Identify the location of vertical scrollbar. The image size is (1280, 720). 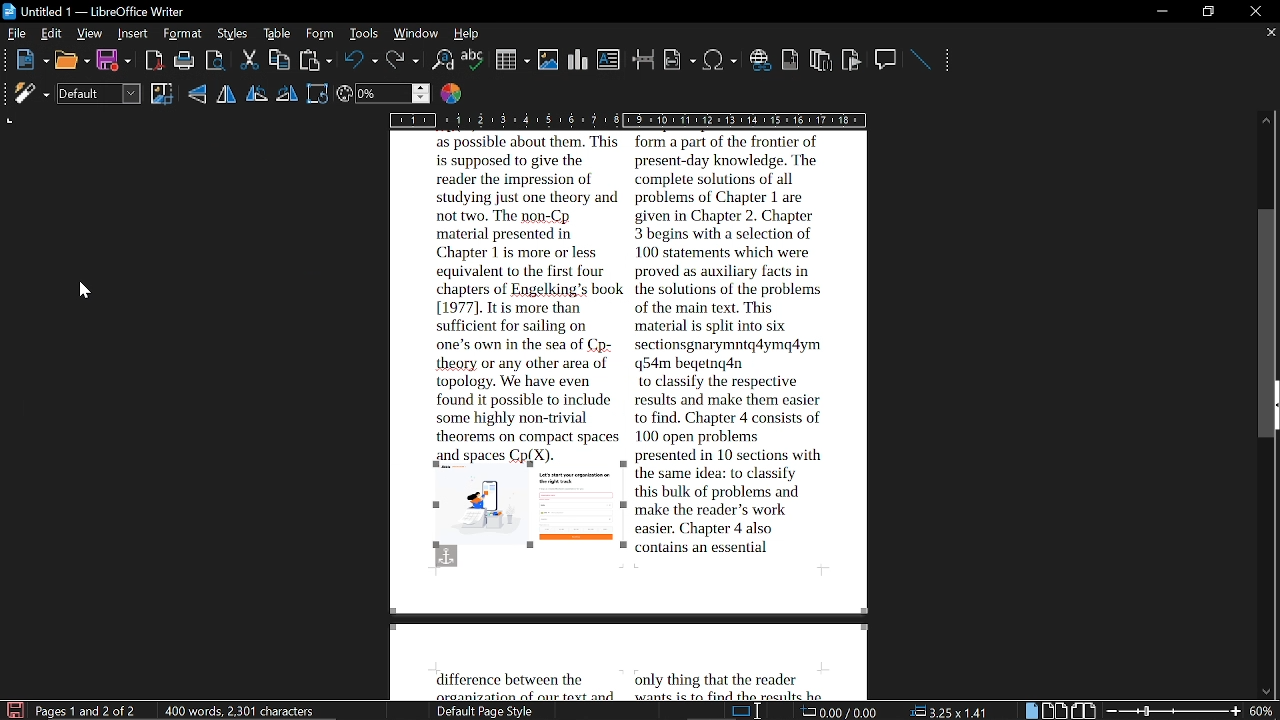
(1269, 327).